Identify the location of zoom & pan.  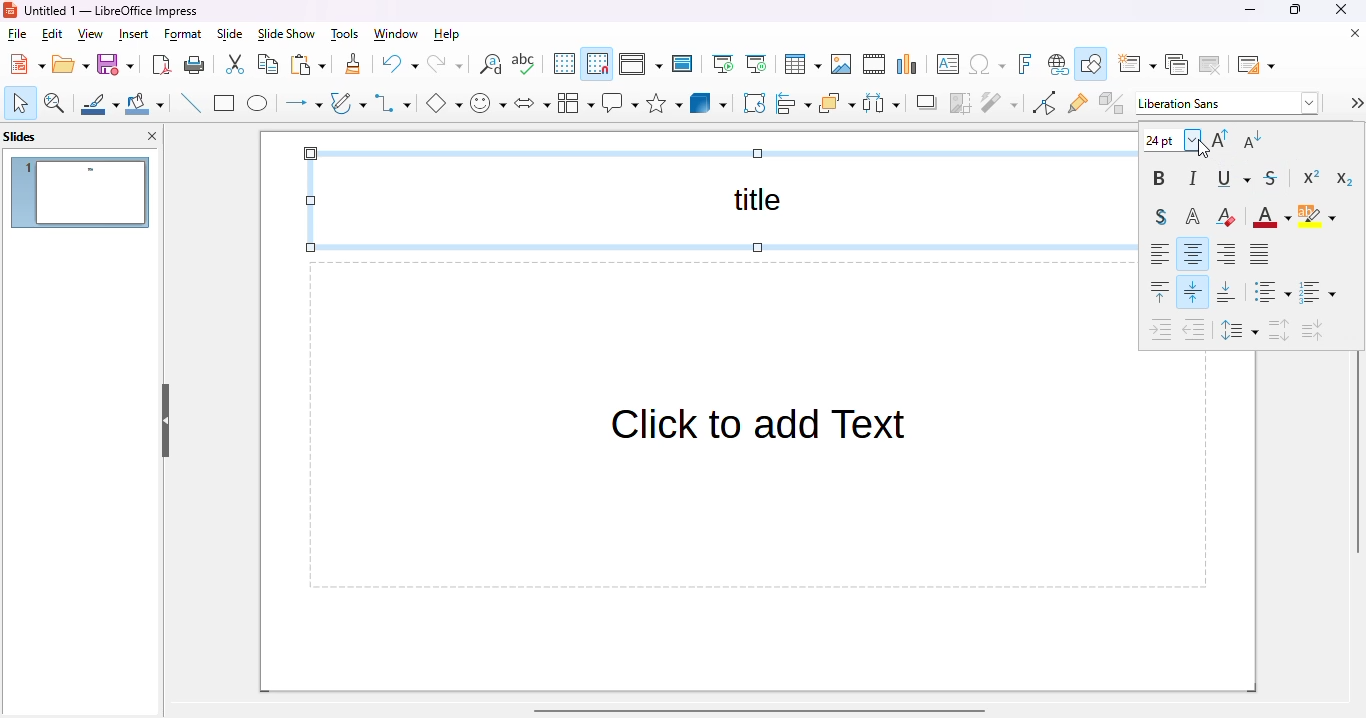
(55, 103).